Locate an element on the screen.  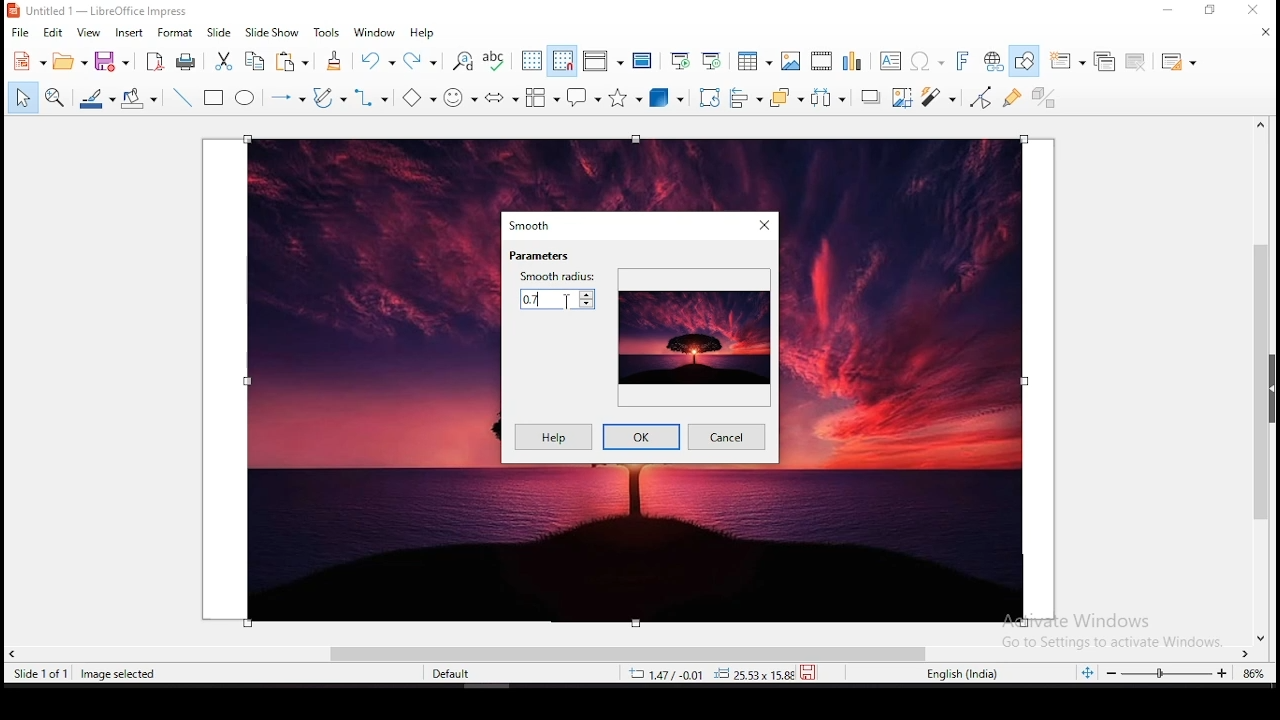
3D shapes is located at coordinates (667, 100).